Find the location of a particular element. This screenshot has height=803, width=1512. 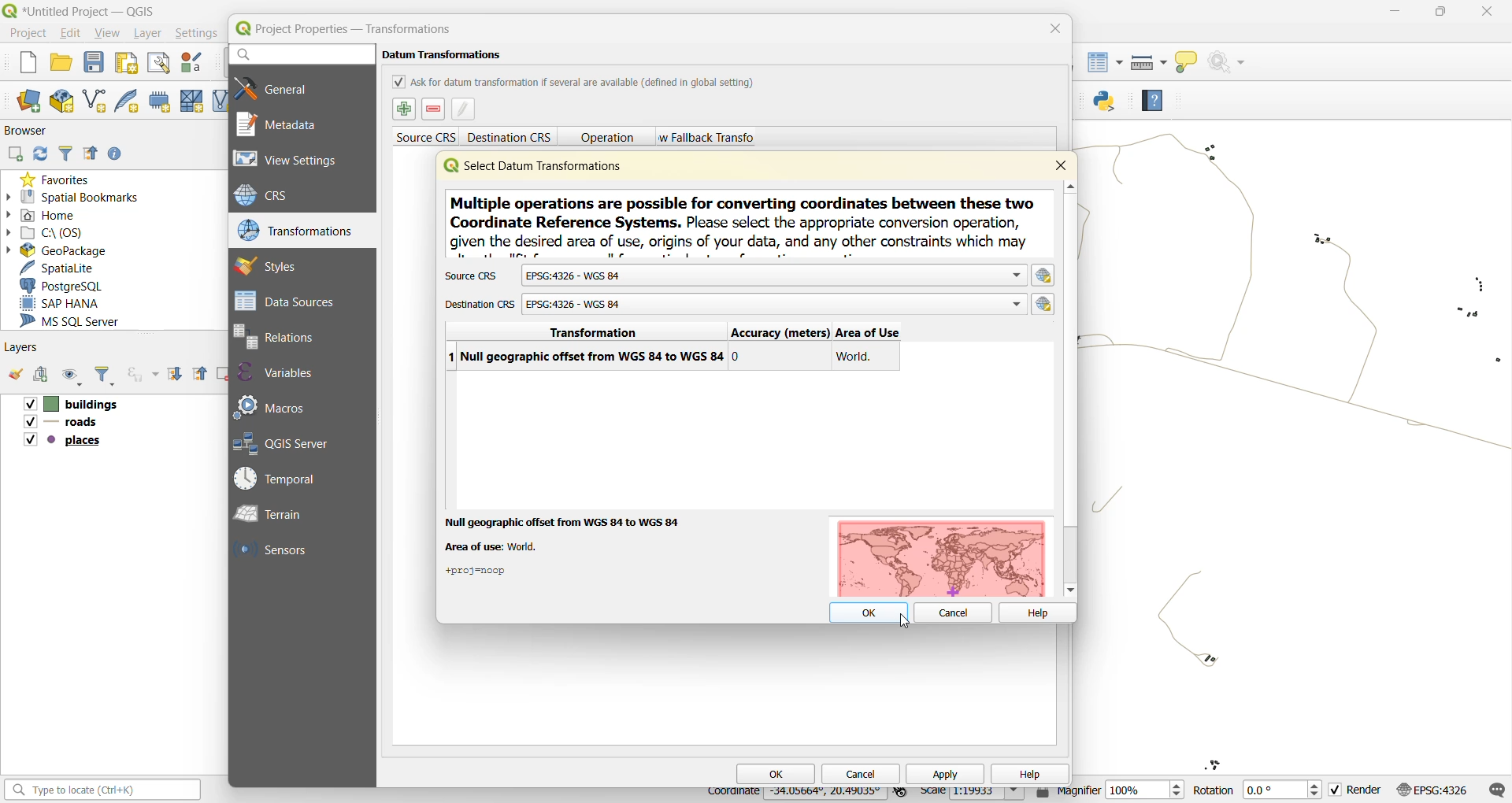

help is located at coordinates (1152, 98).